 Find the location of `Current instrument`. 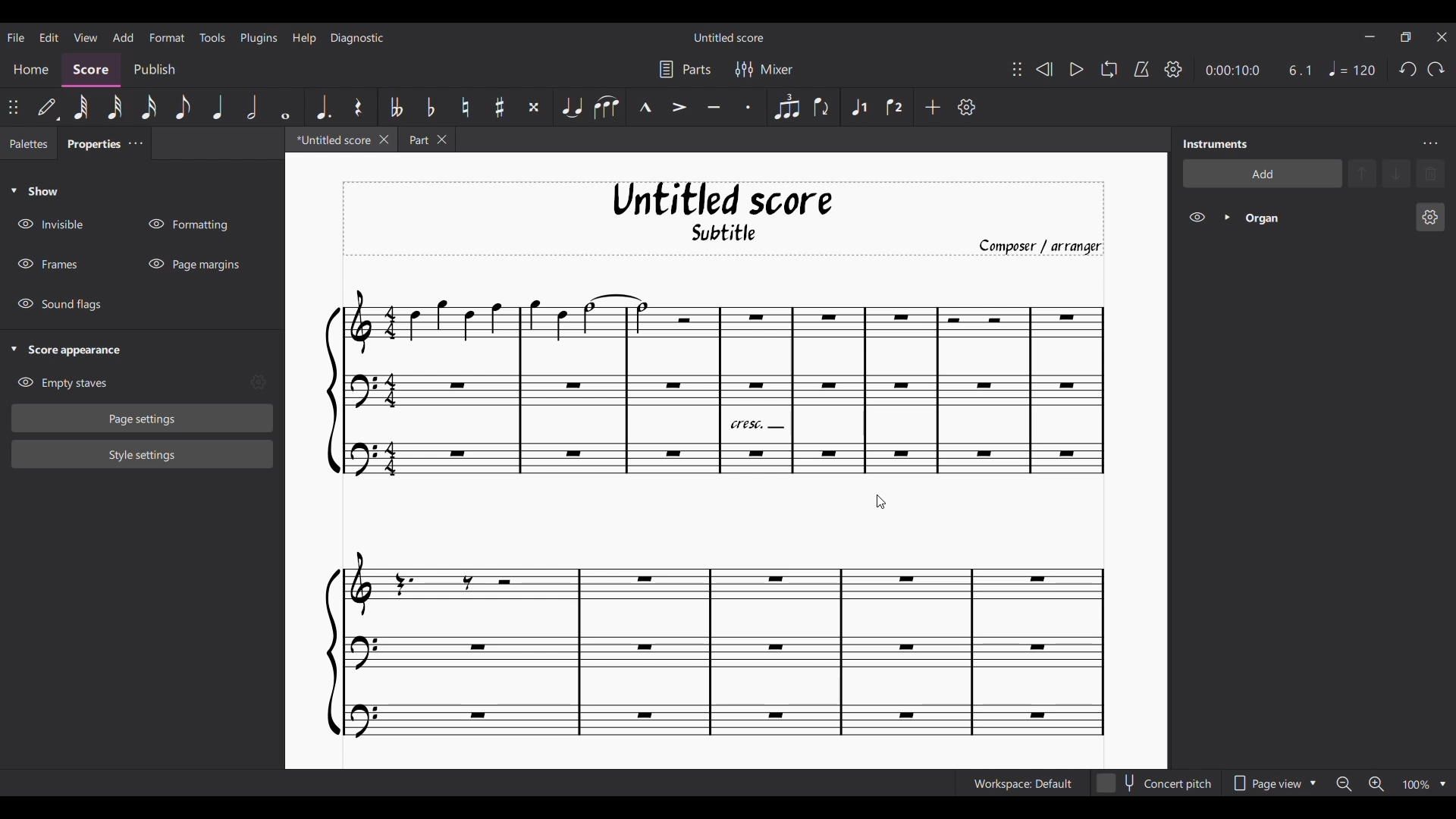

Current instrument is located at coordinates (1324, 218).